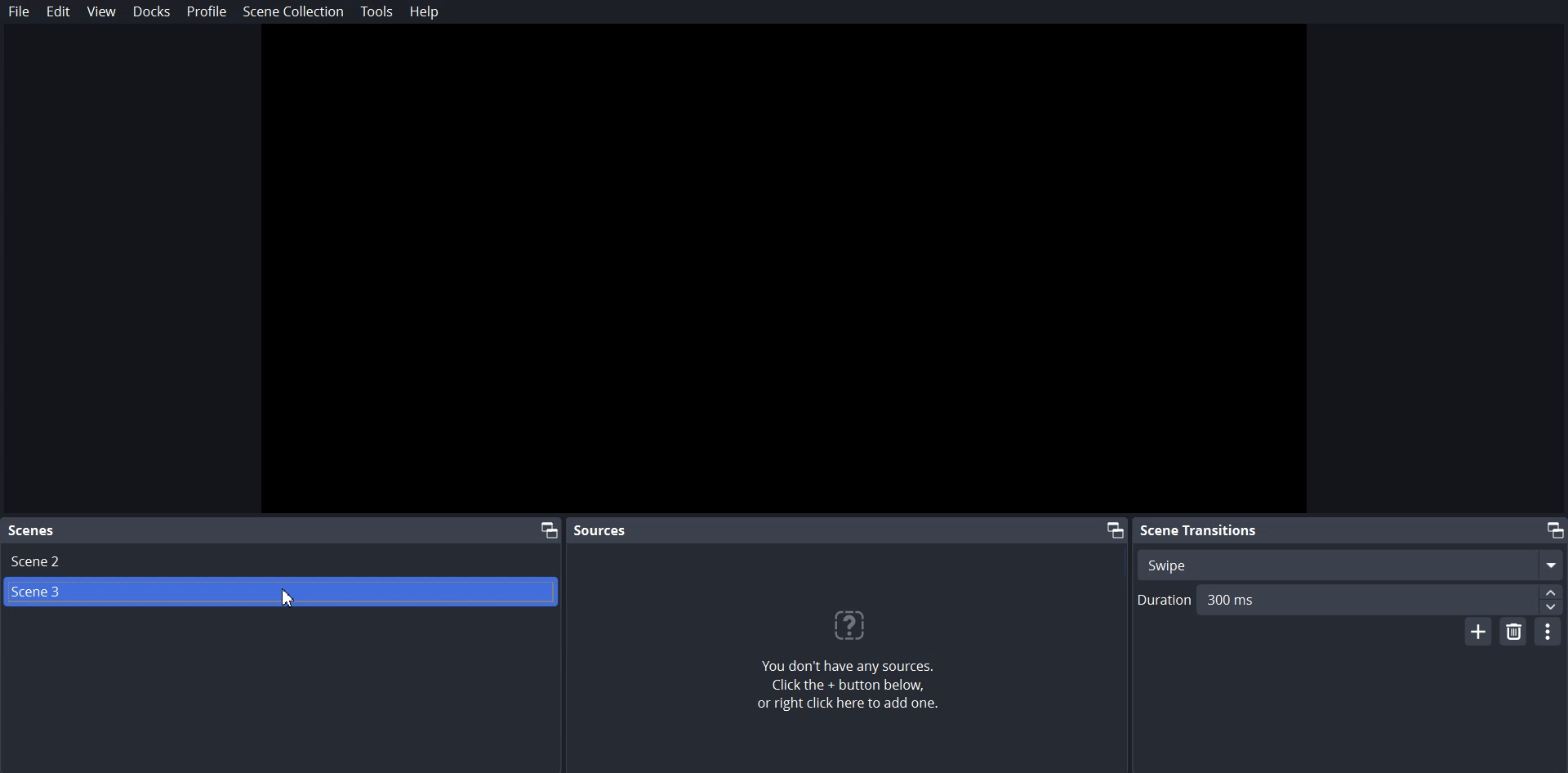  What do you see at coordinates (282, 561) in the screenshot?
I see `Scene 2` at bounding box center [282, 561].